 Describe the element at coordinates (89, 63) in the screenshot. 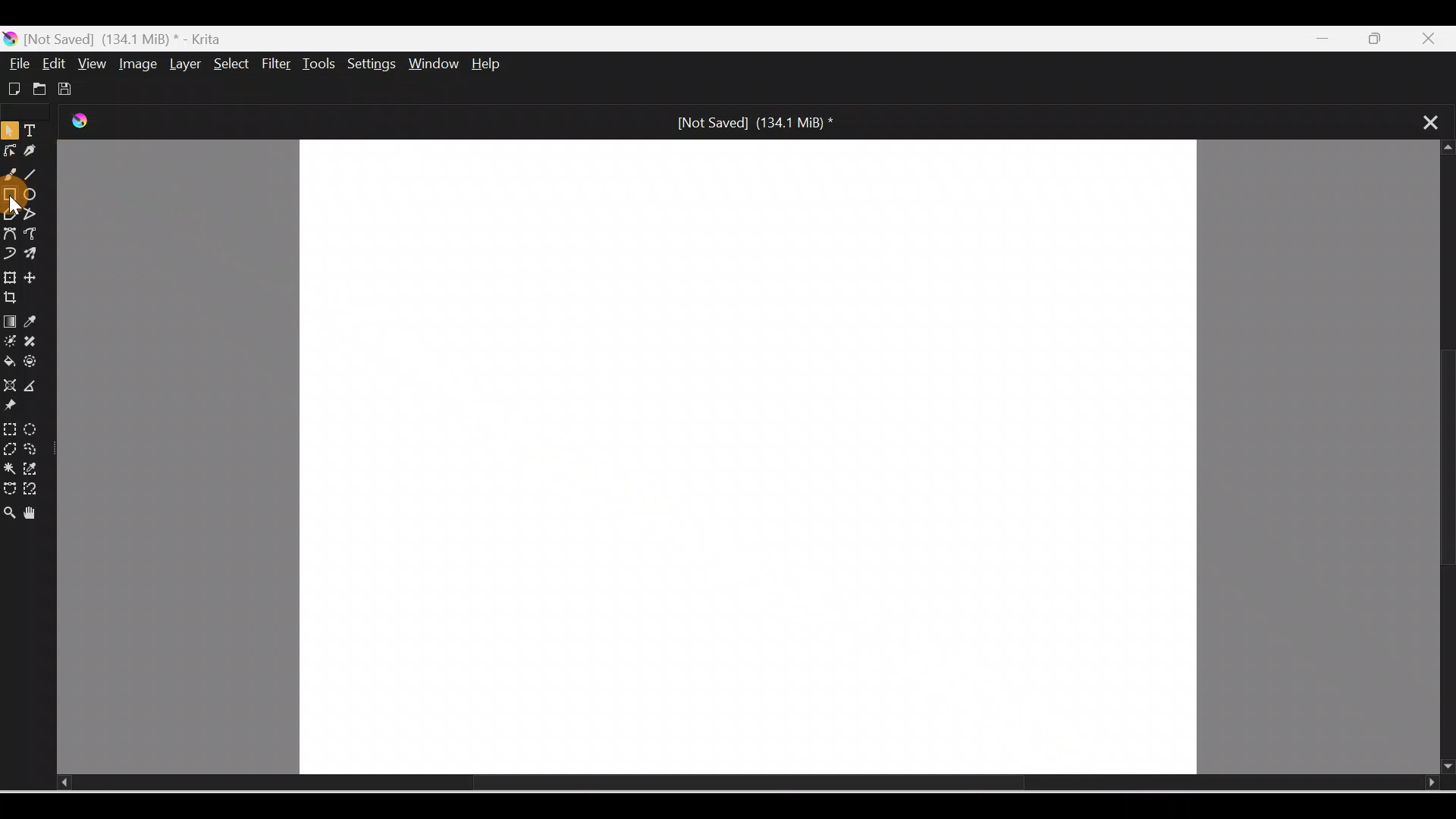

I see `View` at that location.